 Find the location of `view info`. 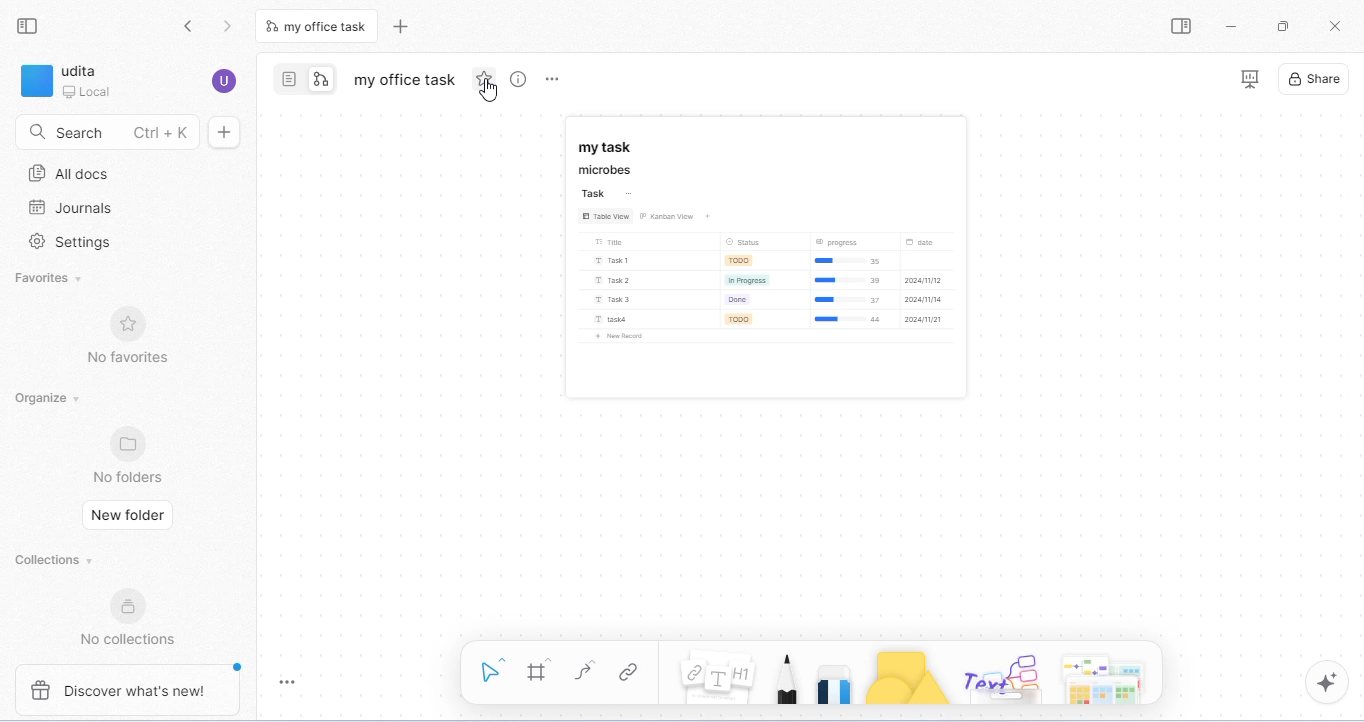

view info is located at coordinates (521, 79).